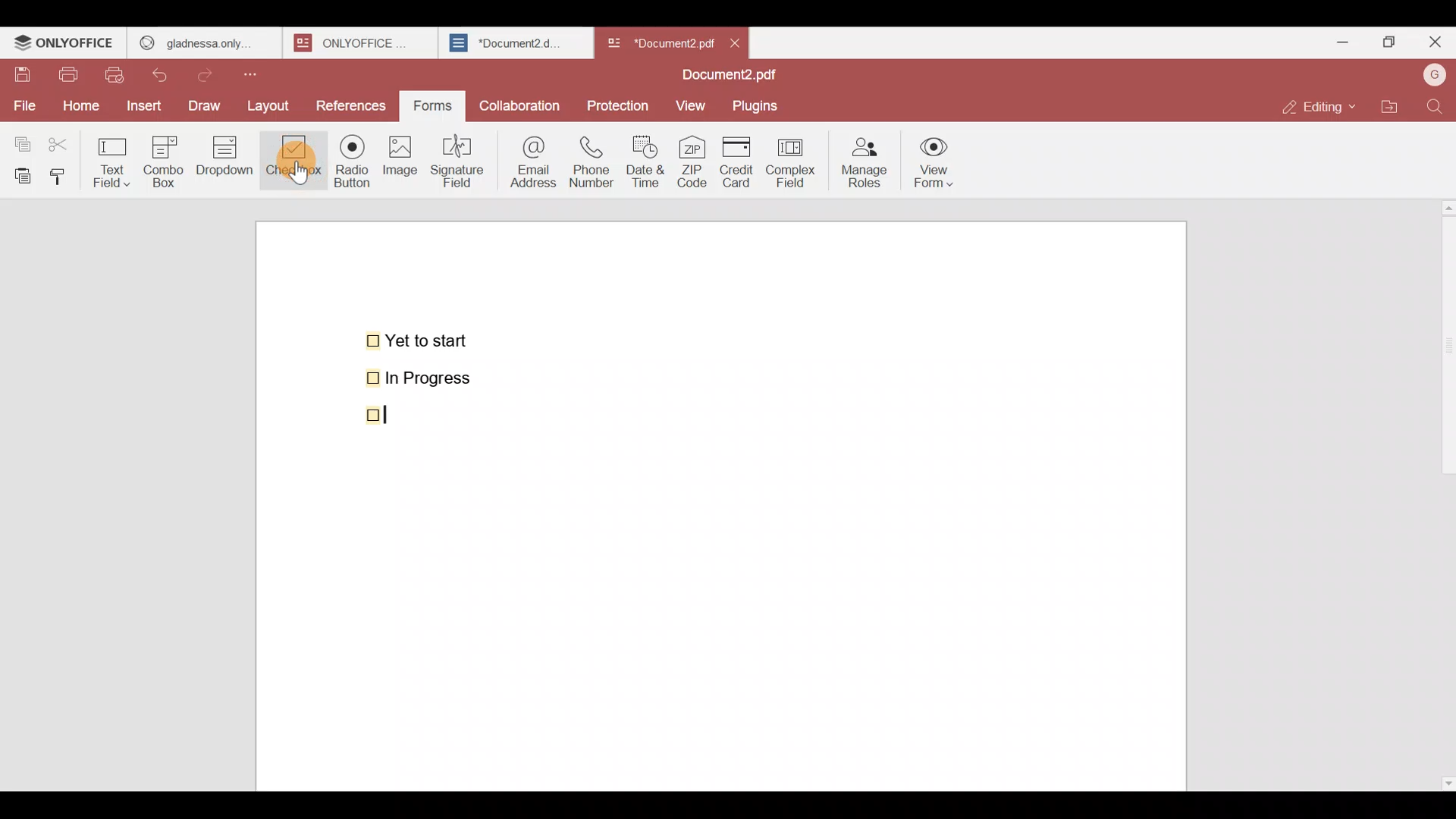 The height and width of the screenshot is (819, 1456). Describe the element at coordinates (294, 162) in the screenshot. I see `Cursor` at that location.